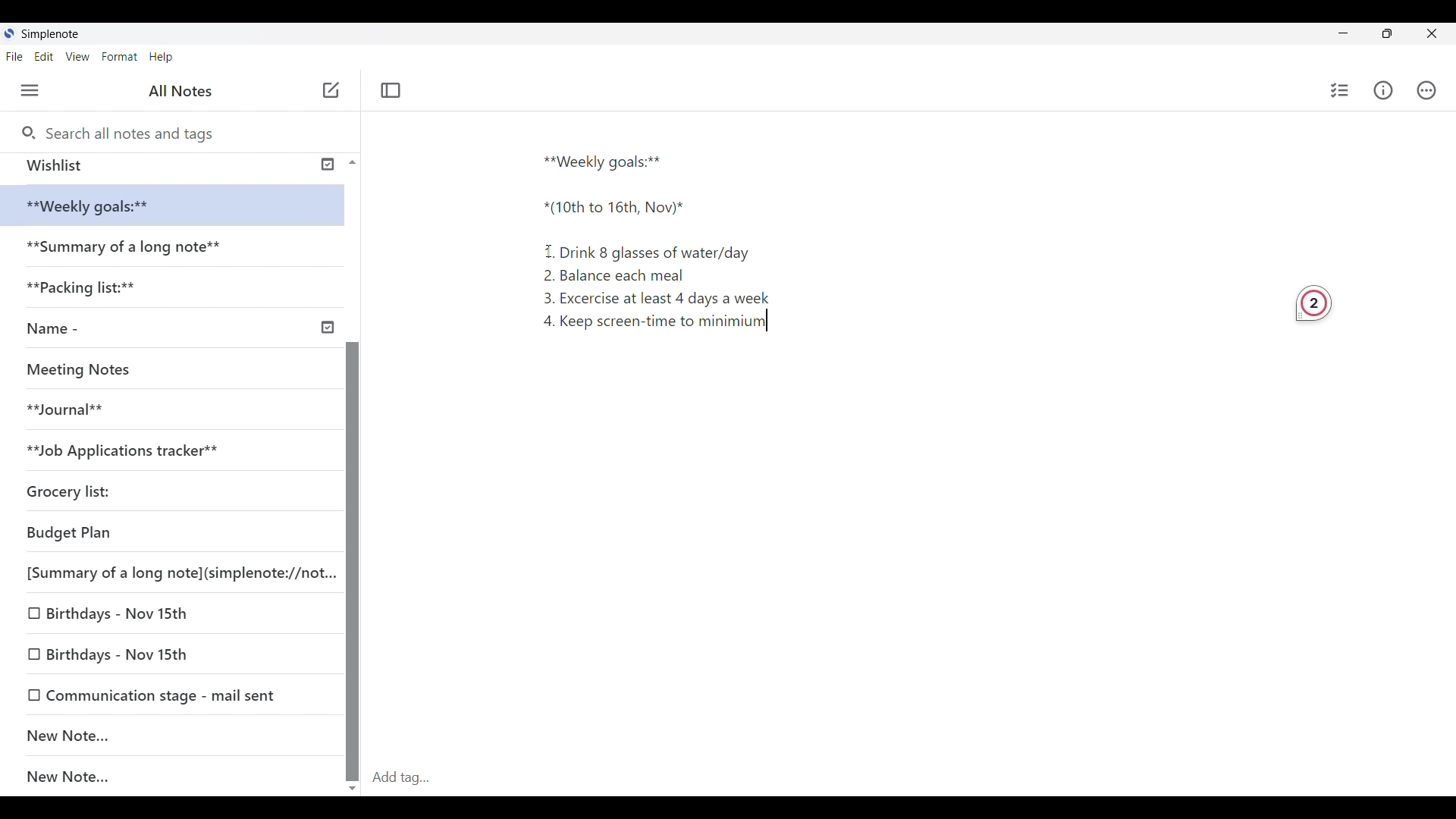 This screenshot has width=1456, height=819. What do you see at coordinates (52, 33) in the screenshot?
I see `Simple note` at bounding box center [52, 33].